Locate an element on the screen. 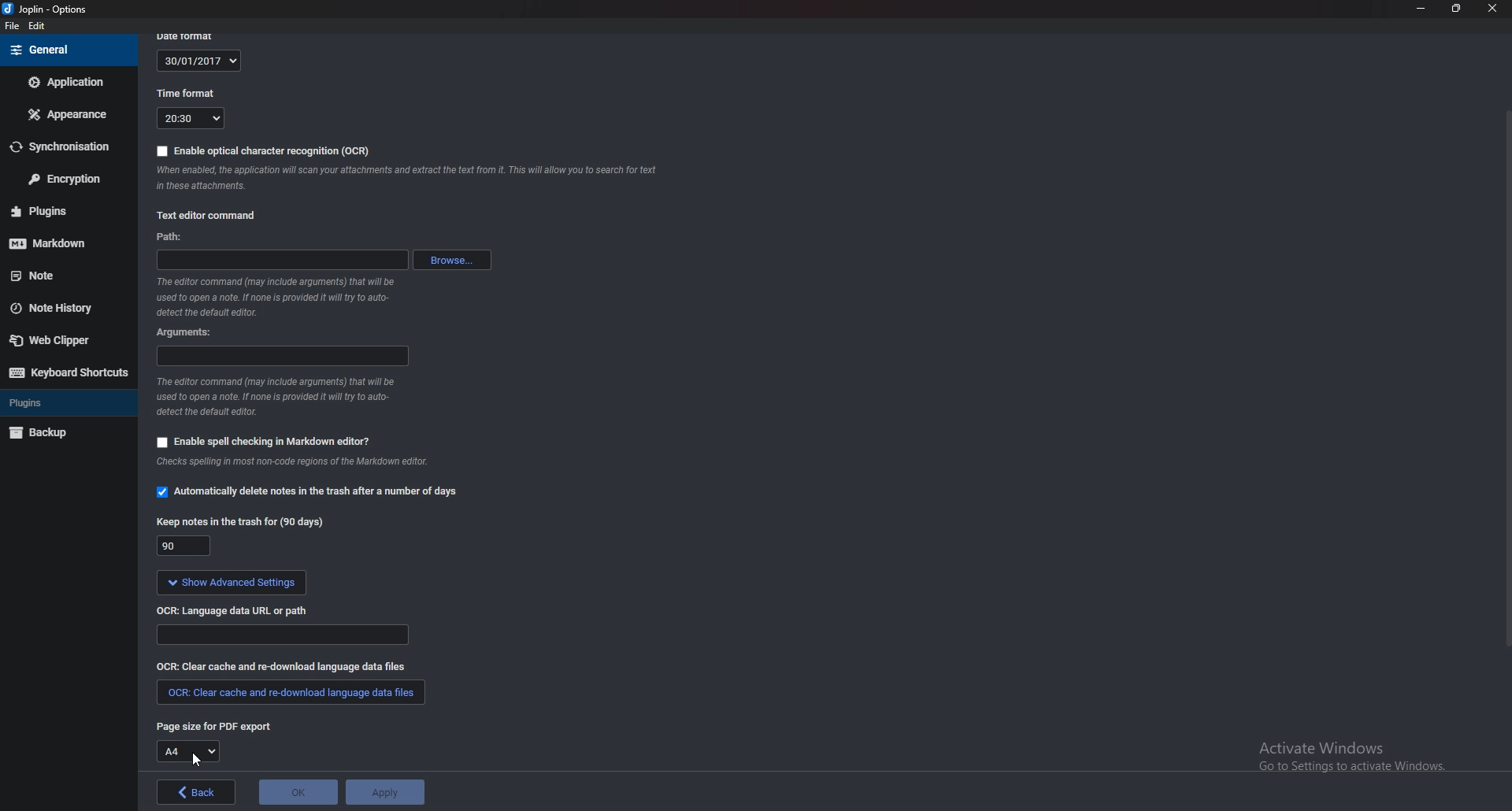 The image size is (1512, 811). Info on editor command is located at coordinates (287, 394).